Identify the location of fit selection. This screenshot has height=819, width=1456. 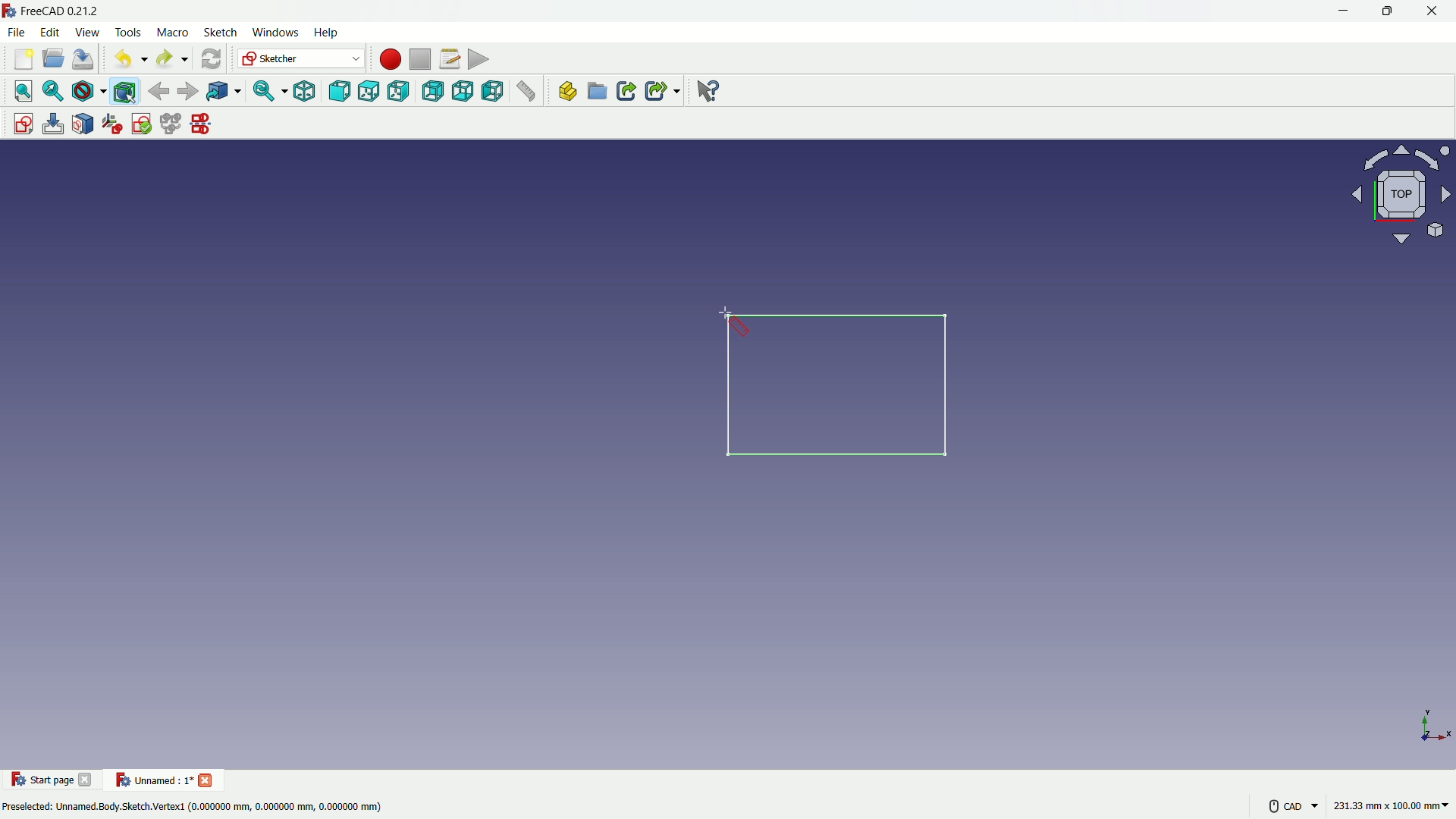
(52, 91).